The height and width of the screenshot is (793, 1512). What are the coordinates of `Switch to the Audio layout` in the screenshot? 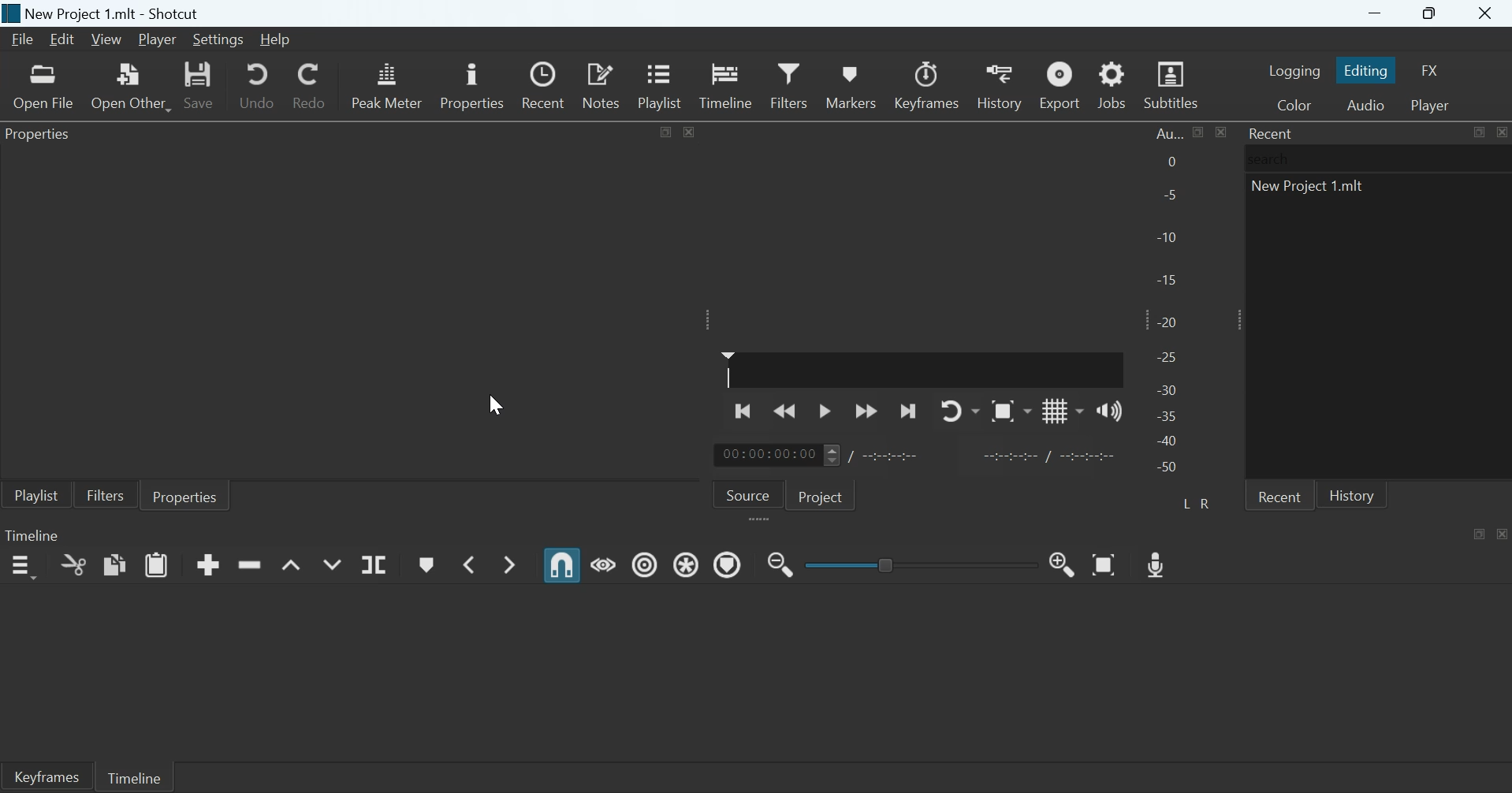 It's located at (1365, 104).